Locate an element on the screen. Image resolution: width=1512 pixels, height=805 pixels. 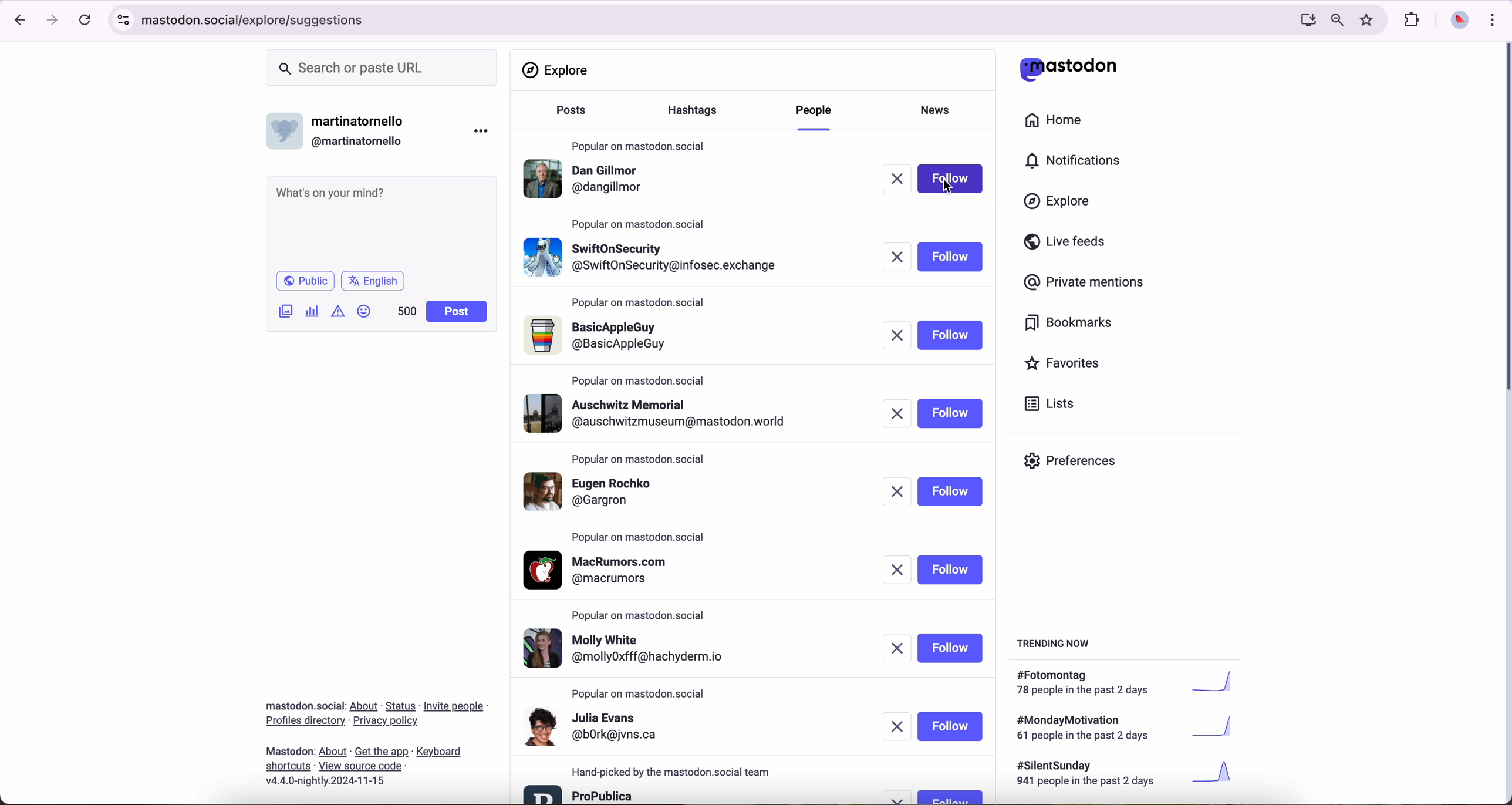
controls is located at coordinates (124, 20).